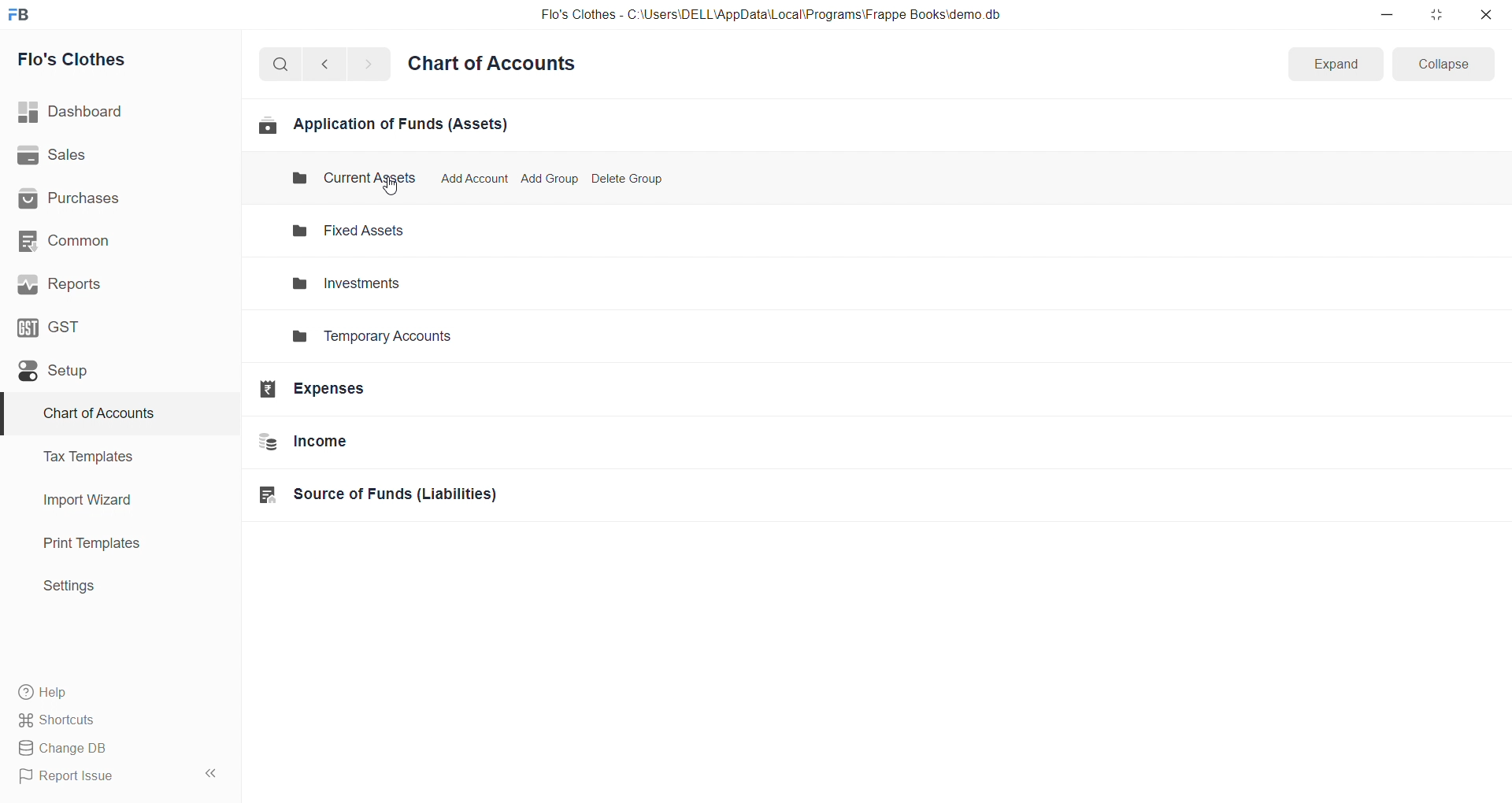 The width and height of the screenshot is (1512, 803). What do you see at coordinates (372, 391) in the screenshot?
I see `Expenses` at bounding box center [372, 391].